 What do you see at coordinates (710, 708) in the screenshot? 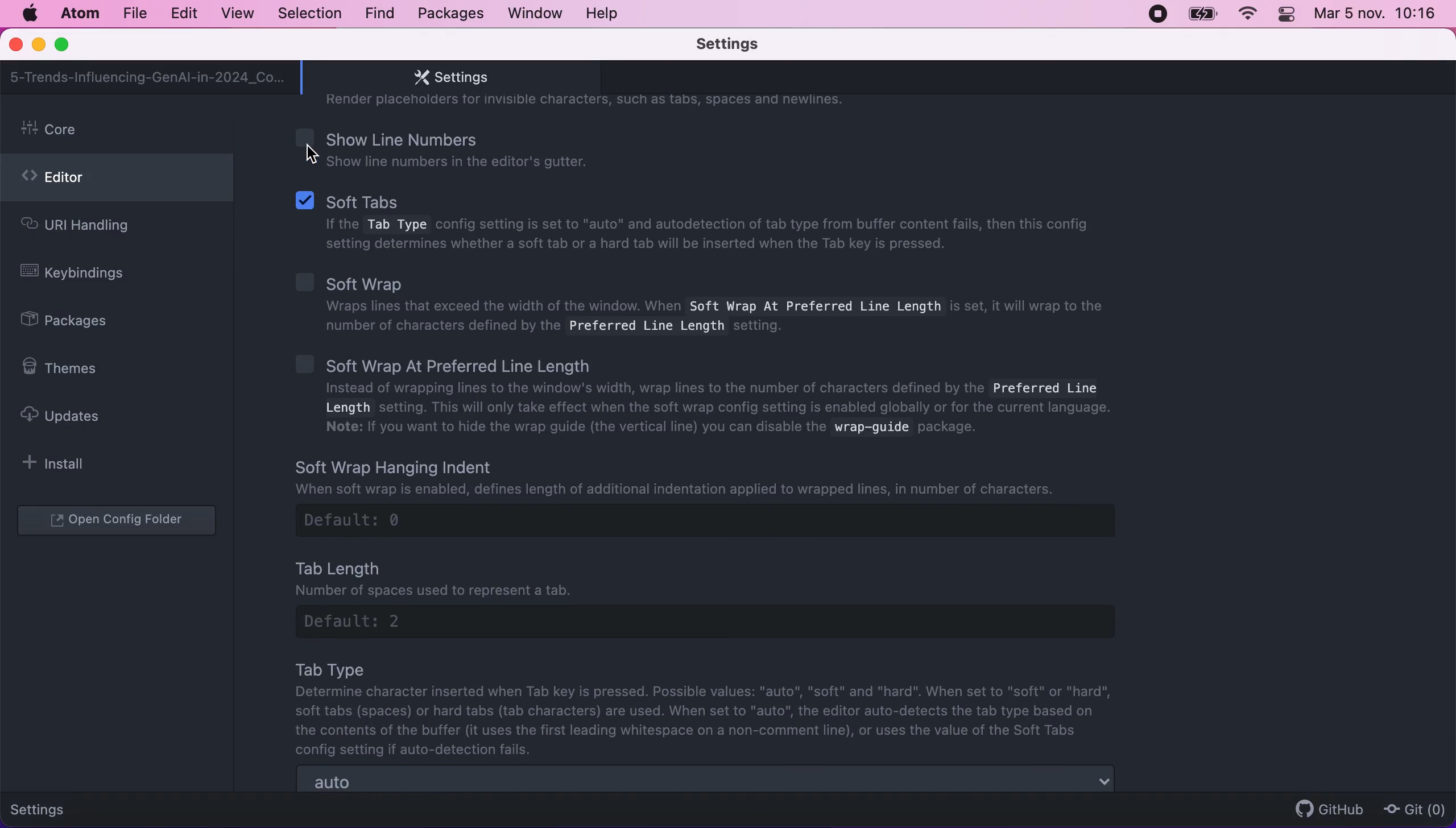
I see `tab type` at bounding box center [710, 708].